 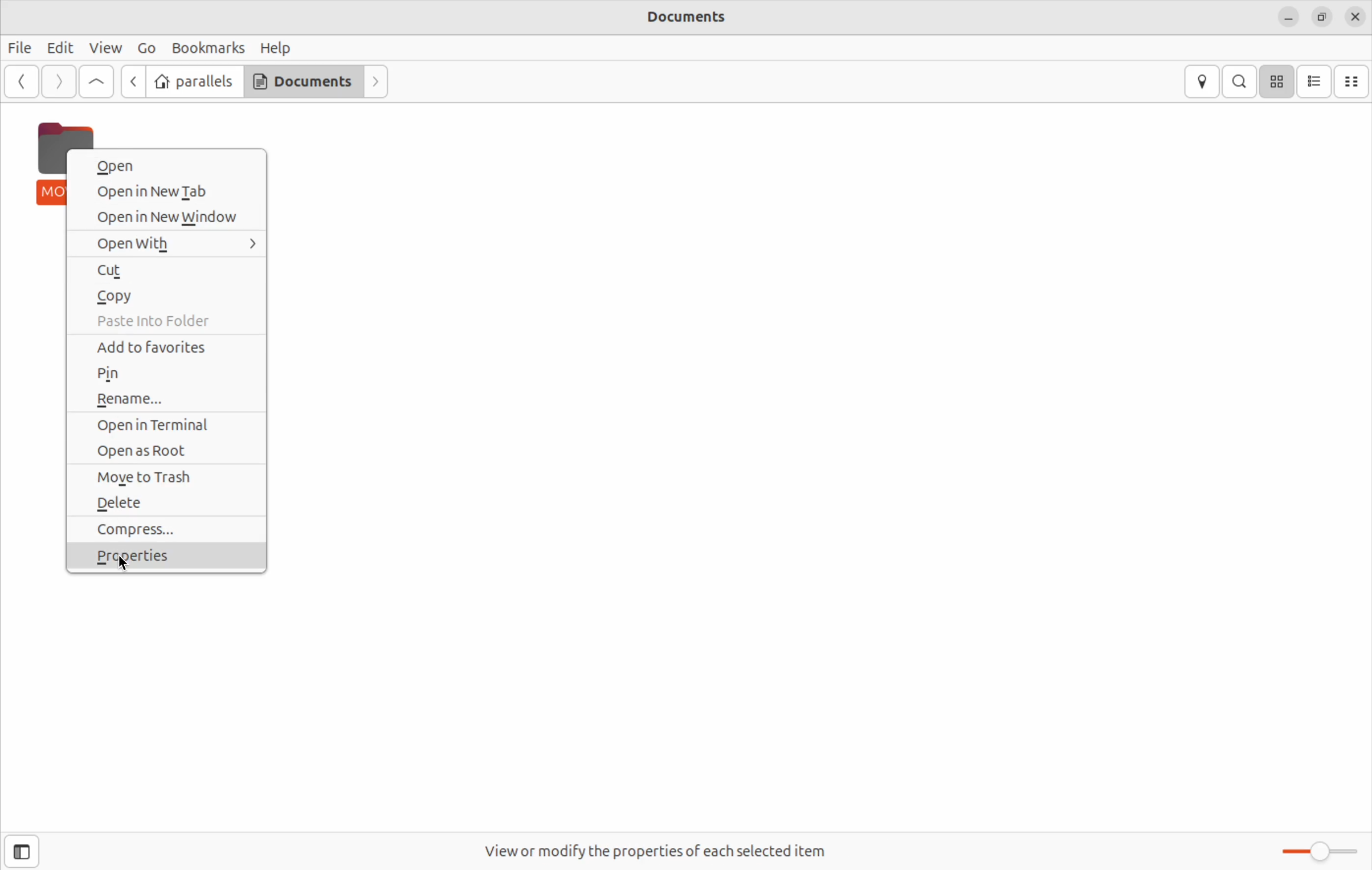 I want to click on book marks, so click(x=208, y=48).